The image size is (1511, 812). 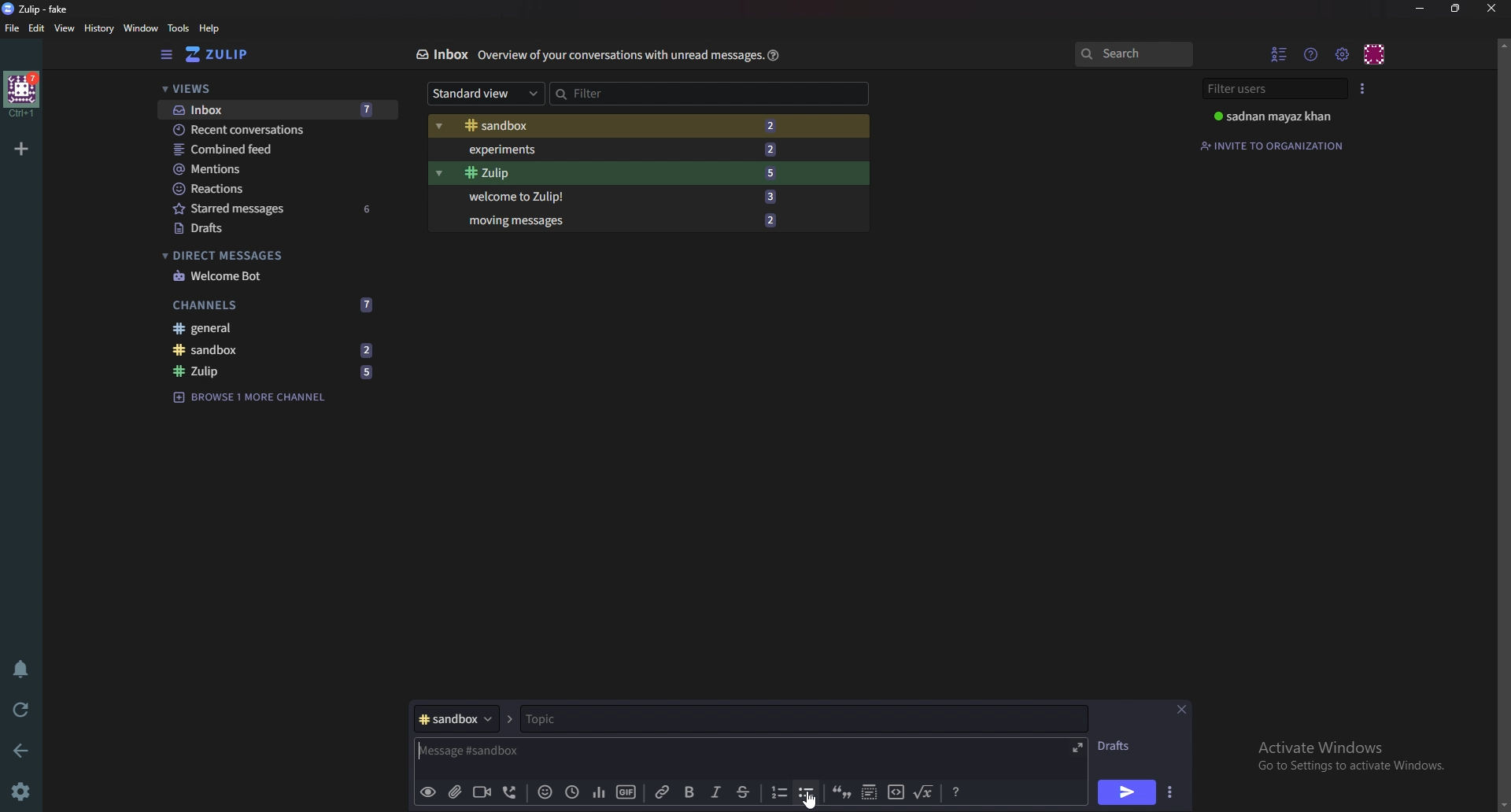 I want to click on combined feed, so click(x=277, y=149).